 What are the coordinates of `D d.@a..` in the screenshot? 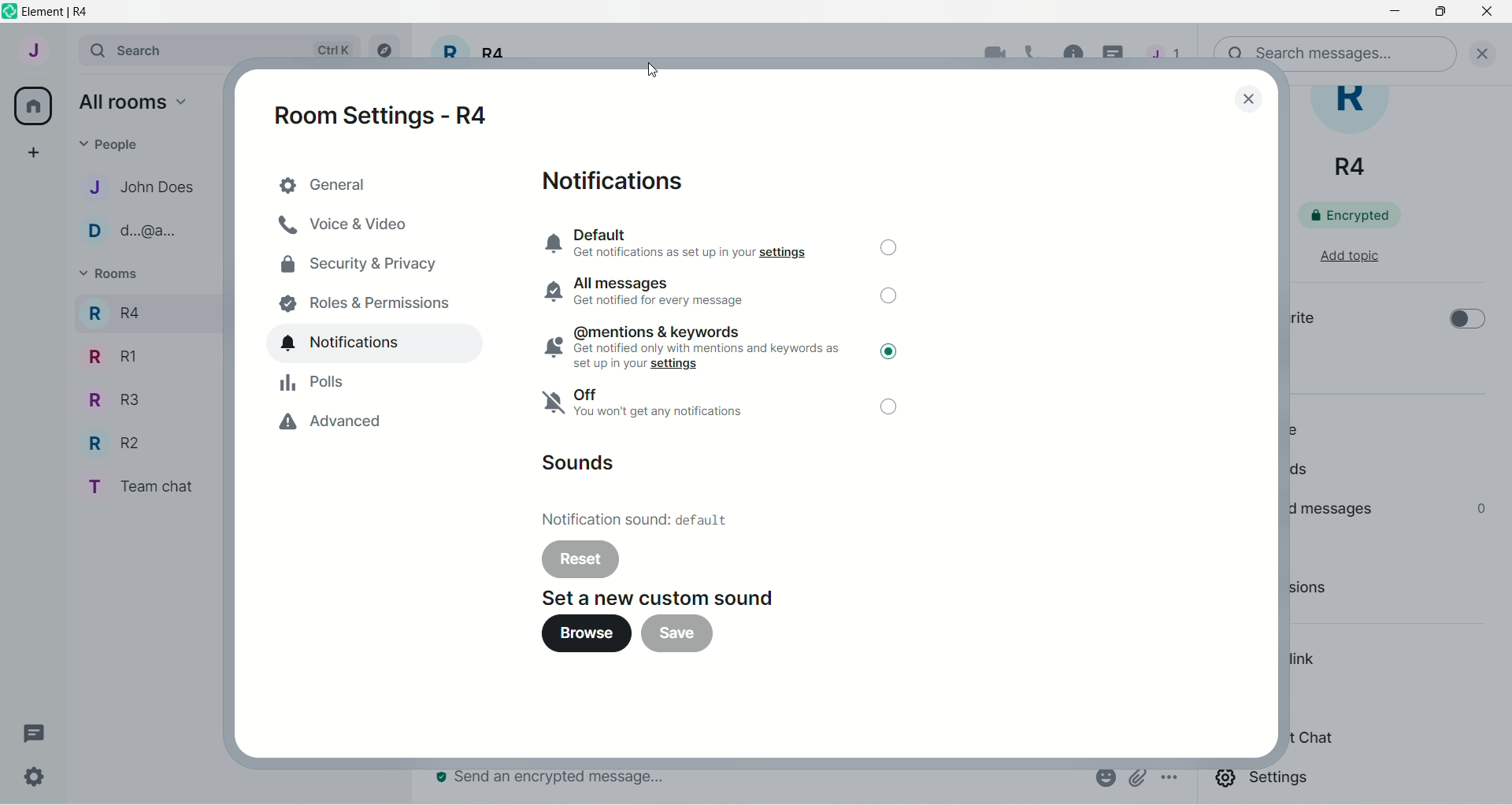 It's located at (127, 231).